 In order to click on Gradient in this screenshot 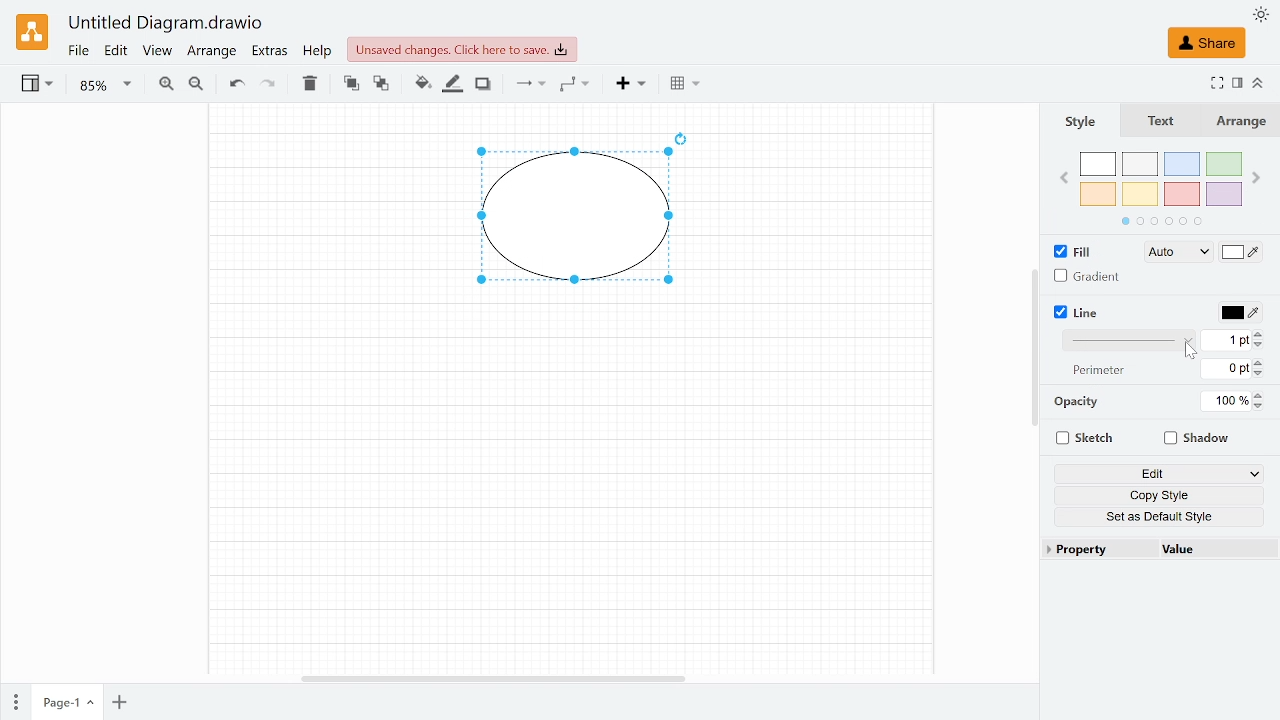, I will do `click(1090, 278)`.